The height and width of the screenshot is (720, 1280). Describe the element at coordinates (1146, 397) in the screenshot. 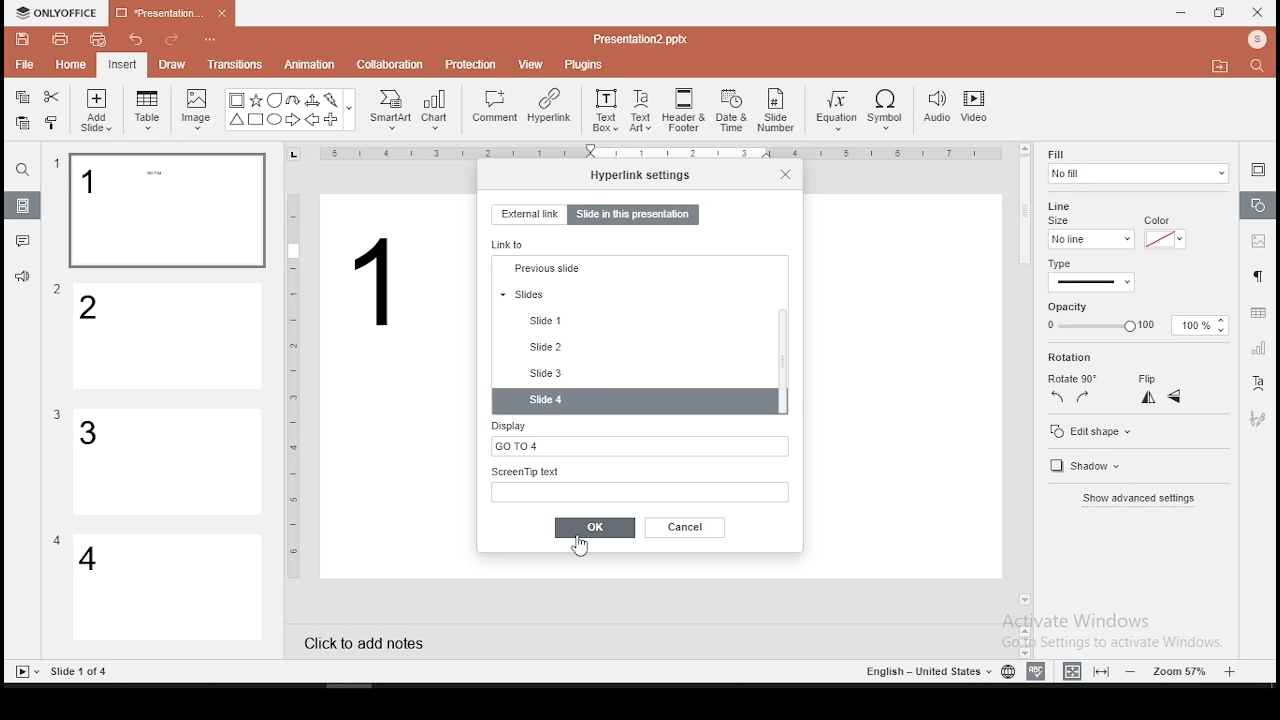

I see `flip horizontal` at that location.